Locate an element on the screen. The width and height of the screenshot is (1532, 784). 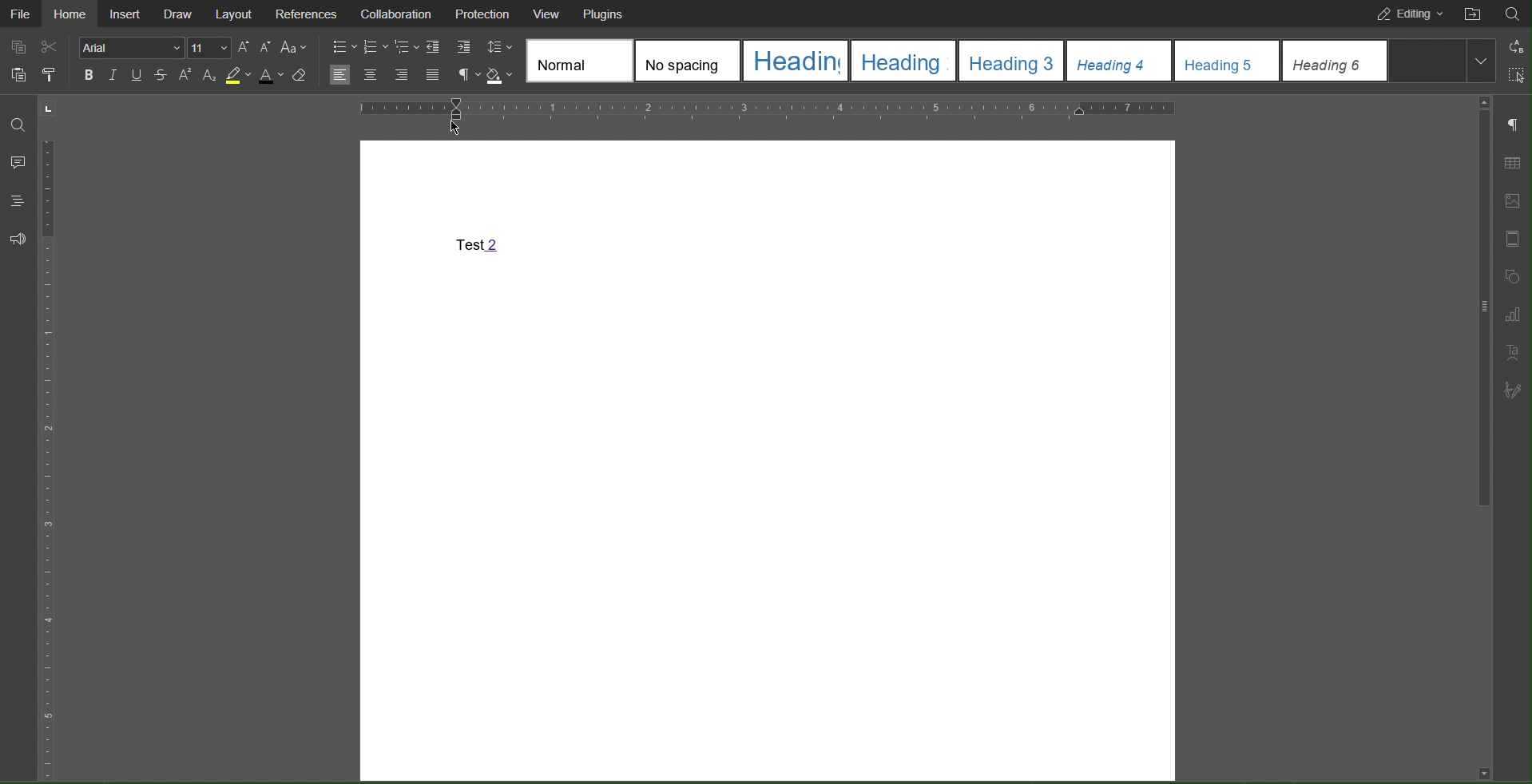
Right Align is located at coordinates (403, 75).